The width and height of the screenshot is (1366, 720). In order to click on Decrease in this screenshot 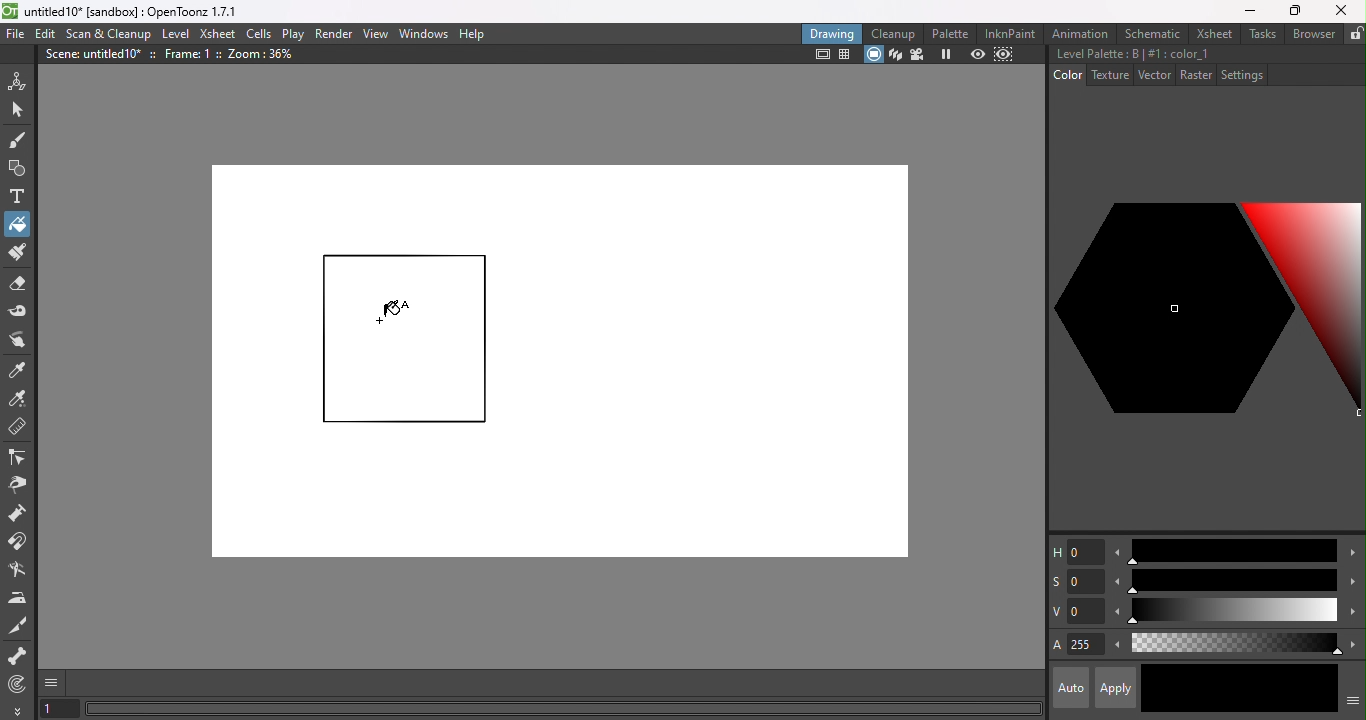, I will do `click(1116, 647)`.